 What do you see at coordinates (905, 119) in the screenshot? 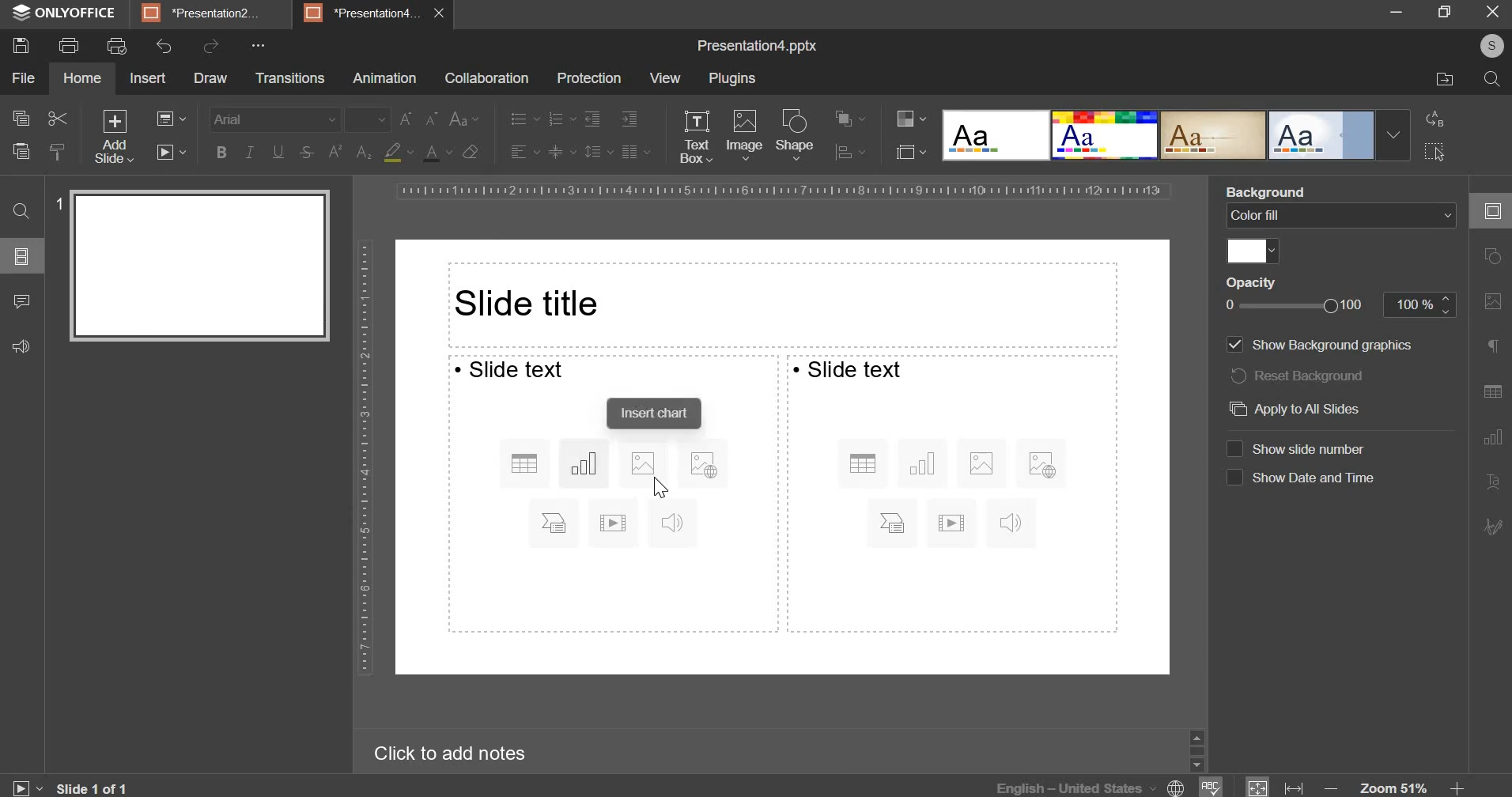
I see `change color theme` at bounding box center [905, 119].